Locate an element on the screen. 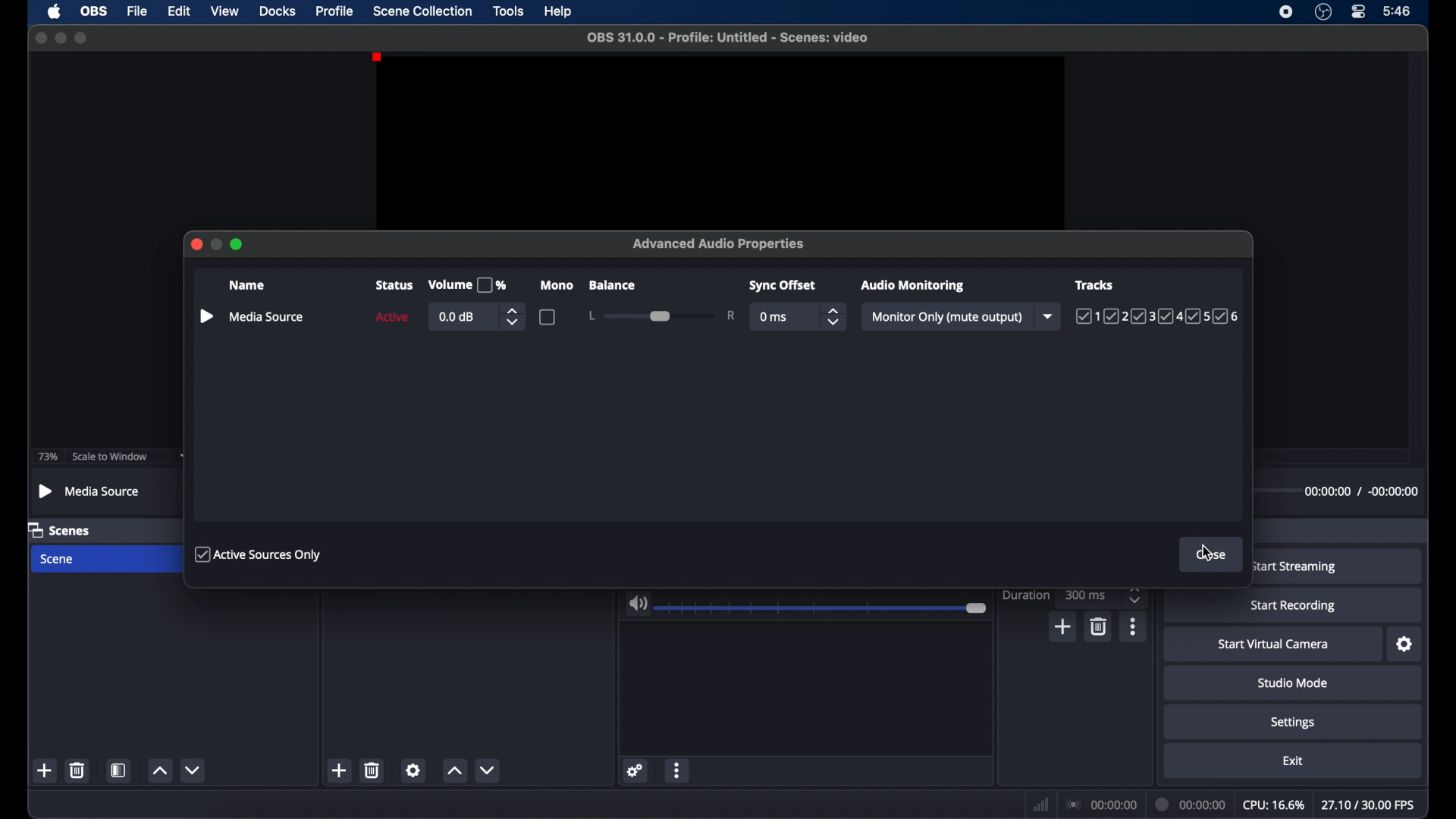 The height and width of the screenshot is (819, 1456). 0 ms is located at coordinates (774, 318).